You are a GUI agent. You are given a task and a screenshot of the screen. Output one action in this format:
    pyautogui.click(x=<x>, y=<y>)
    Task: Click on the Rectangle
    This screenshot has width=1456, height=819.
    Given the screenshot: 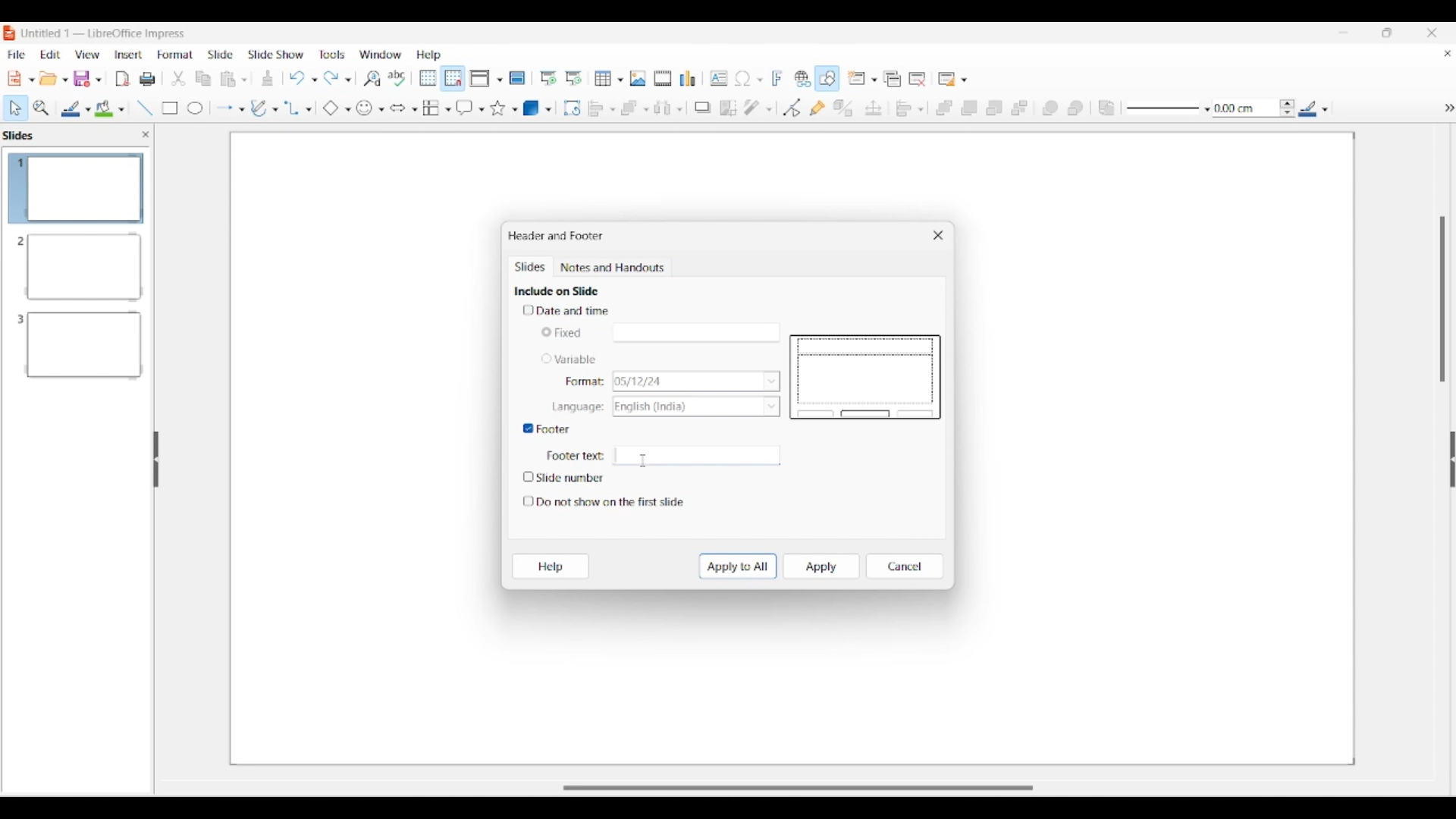 What is the action you would take?
    pyautogui.click(x=165, y=106)
    